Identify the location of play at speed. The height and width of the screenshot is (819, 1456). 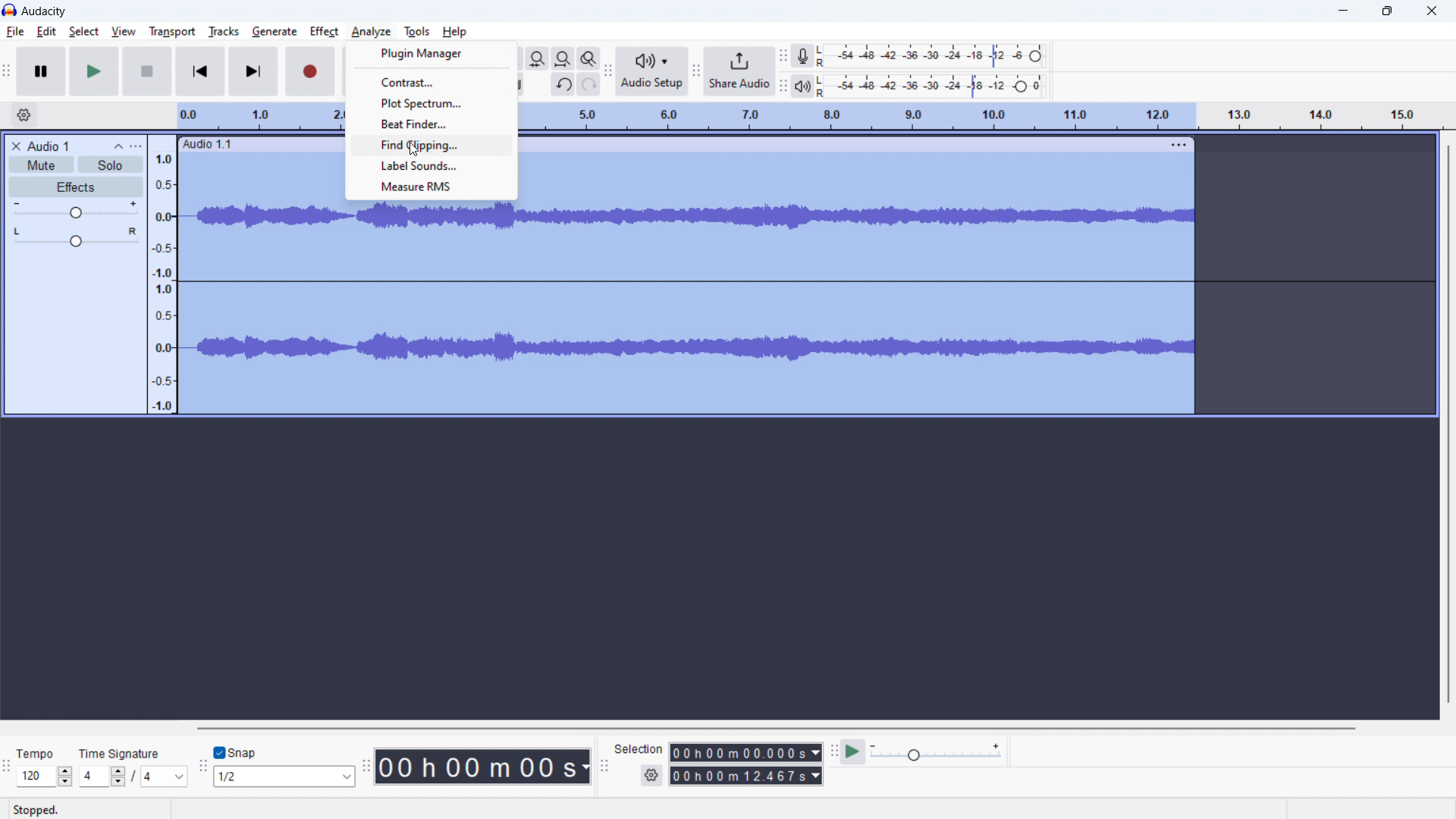
(853, 752).